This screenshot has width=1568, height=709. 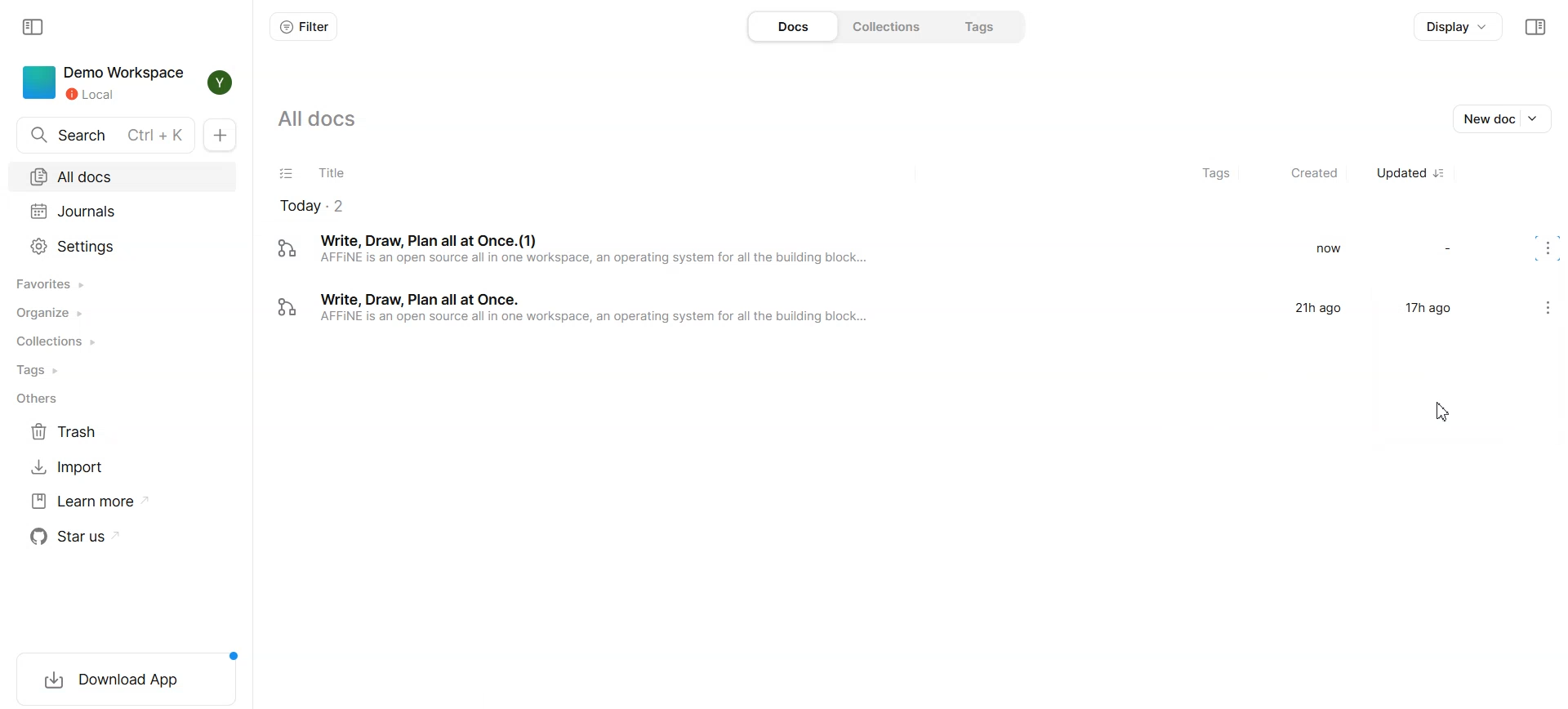 What do you see at coordinates (1442, 413) in the screenshot?
I see `Cursor` at bounding box center [1442, 413].